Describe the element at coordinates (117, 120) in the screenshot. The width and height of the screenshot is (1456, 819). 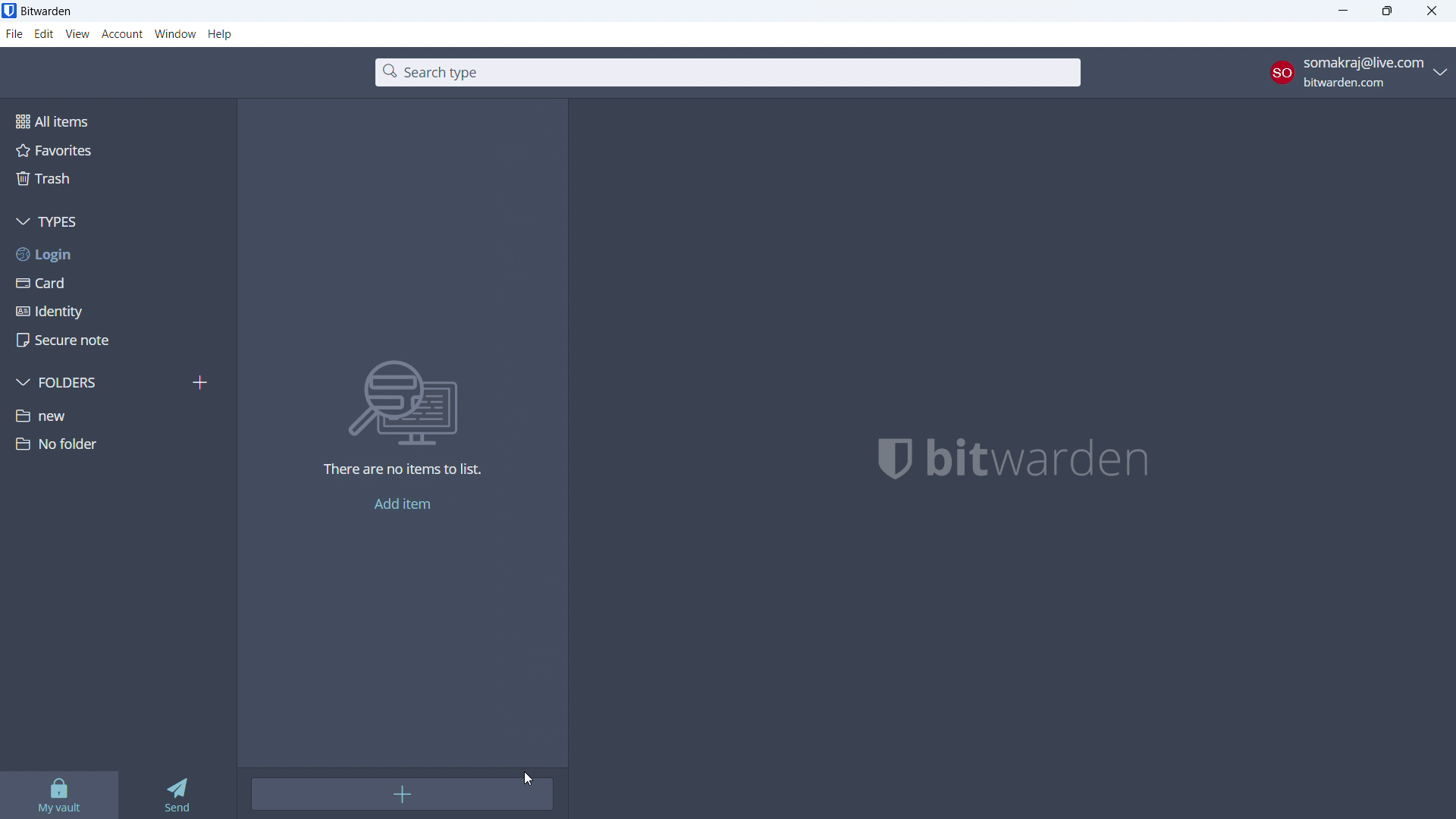
I see `all items` at that location.